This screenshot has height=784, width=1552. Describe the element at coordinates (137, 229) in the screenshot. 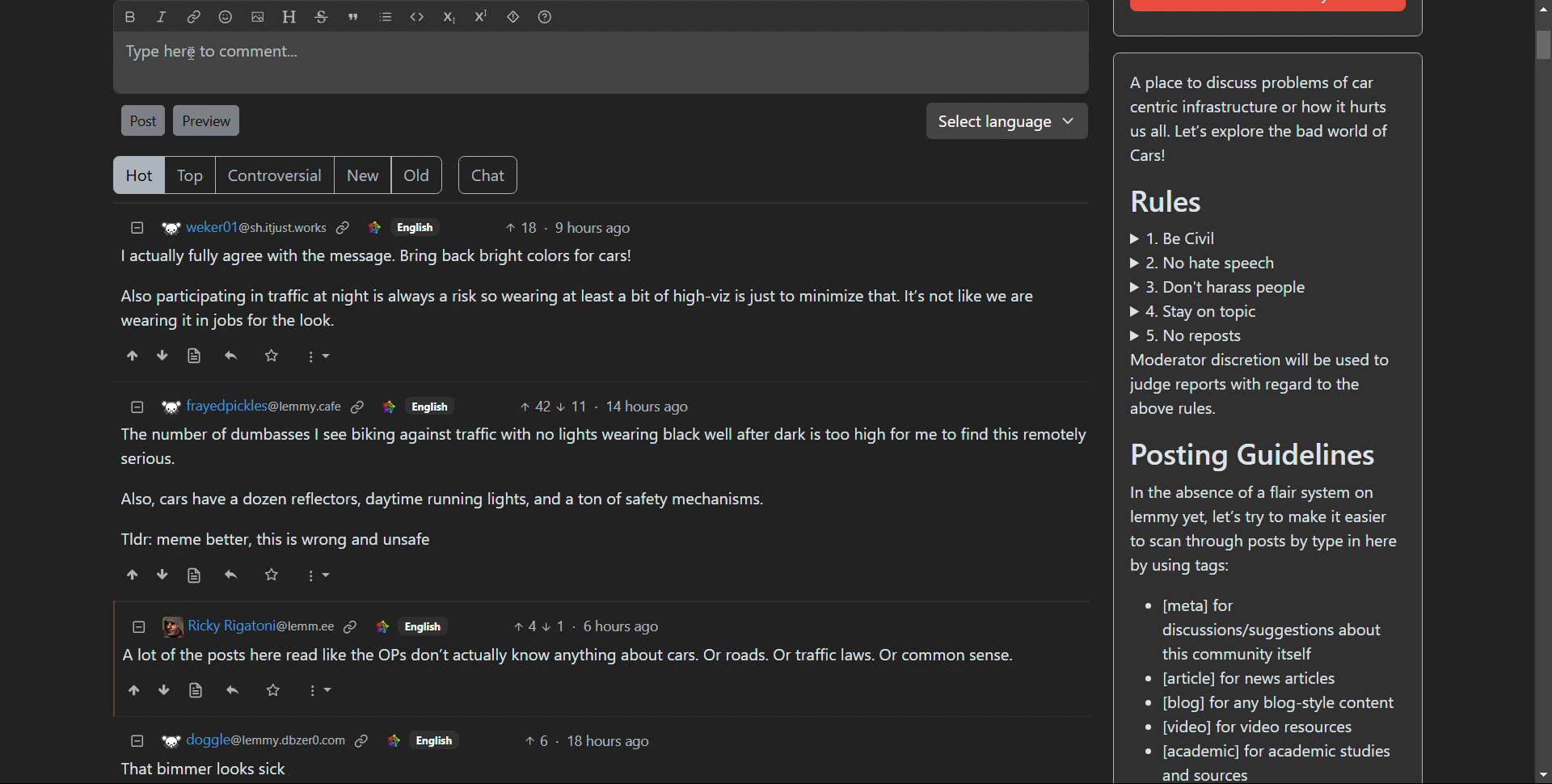

I see `collapse` at that location.